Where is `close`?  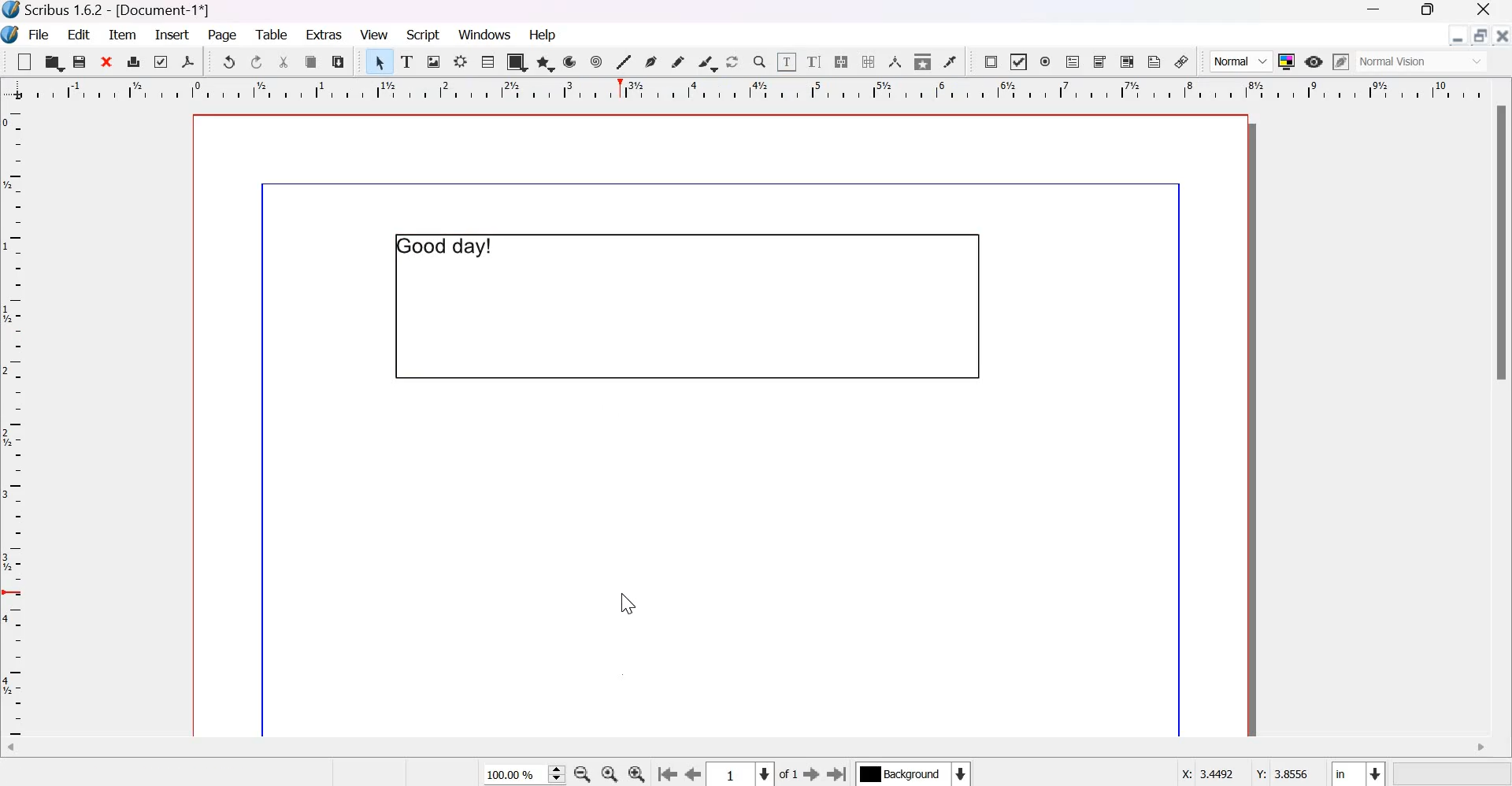 close is located at coordinates (1501, 35).